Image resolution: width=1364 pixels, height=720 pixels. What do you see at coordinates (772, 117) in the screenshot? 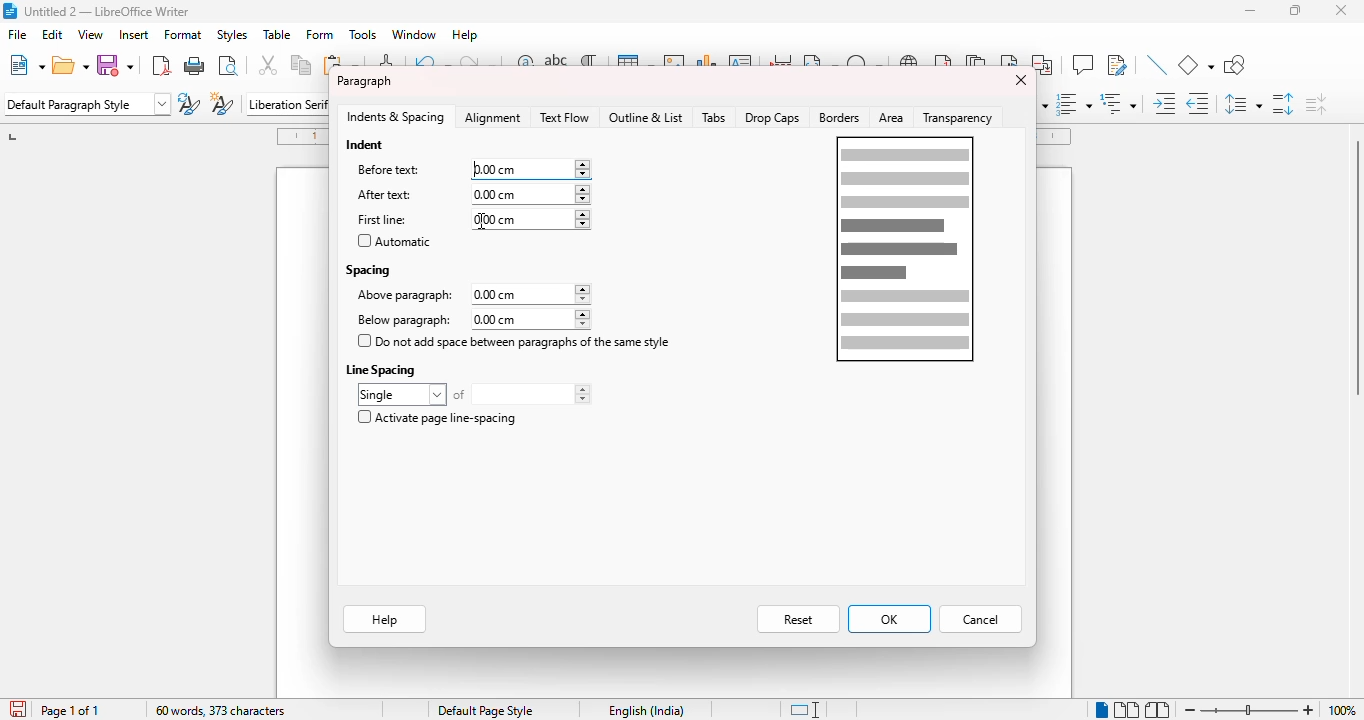
I see `drop caps` at bounding box center [772, 117].